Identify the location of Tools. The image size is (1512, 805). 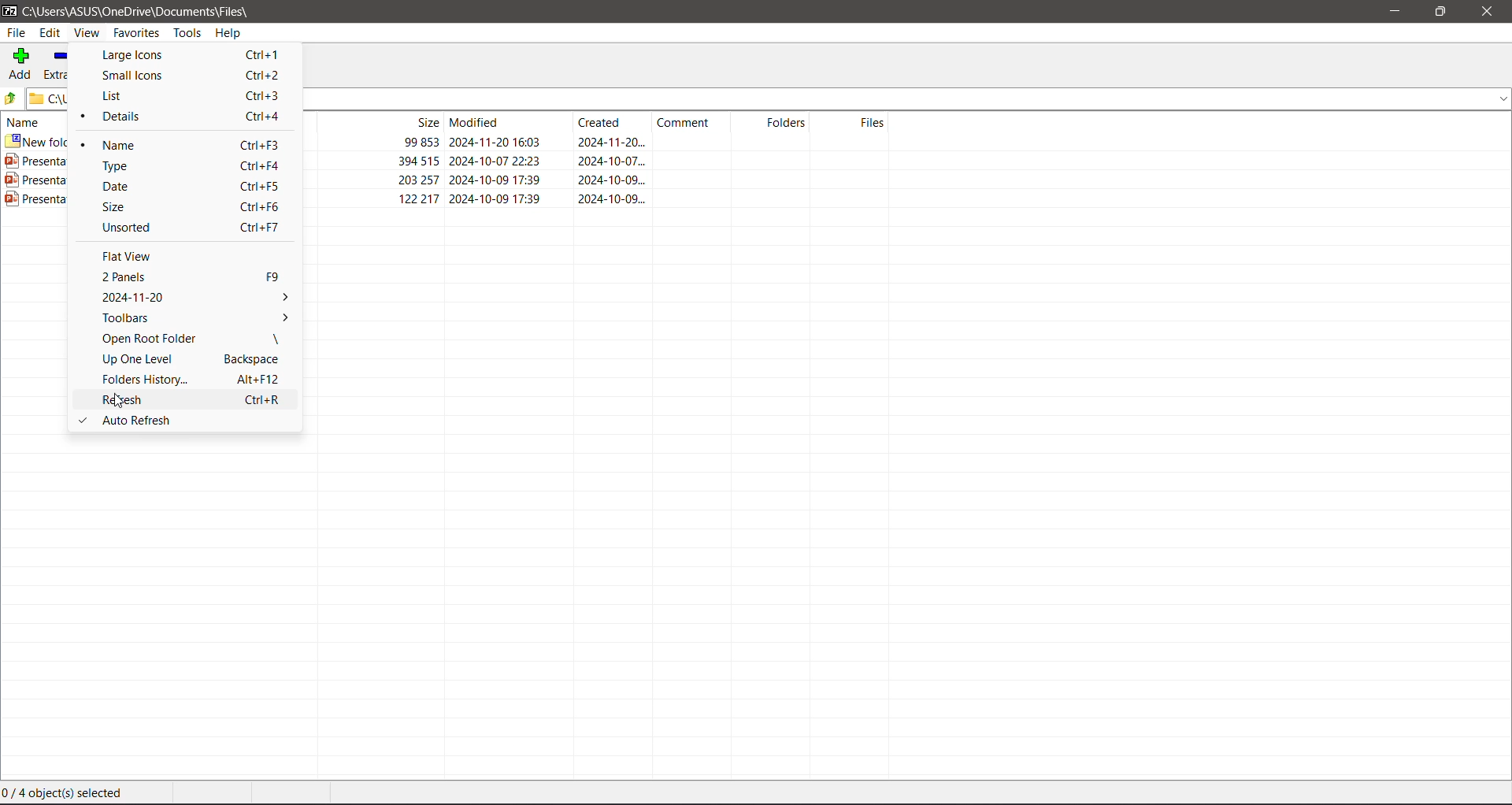
(187, 32).